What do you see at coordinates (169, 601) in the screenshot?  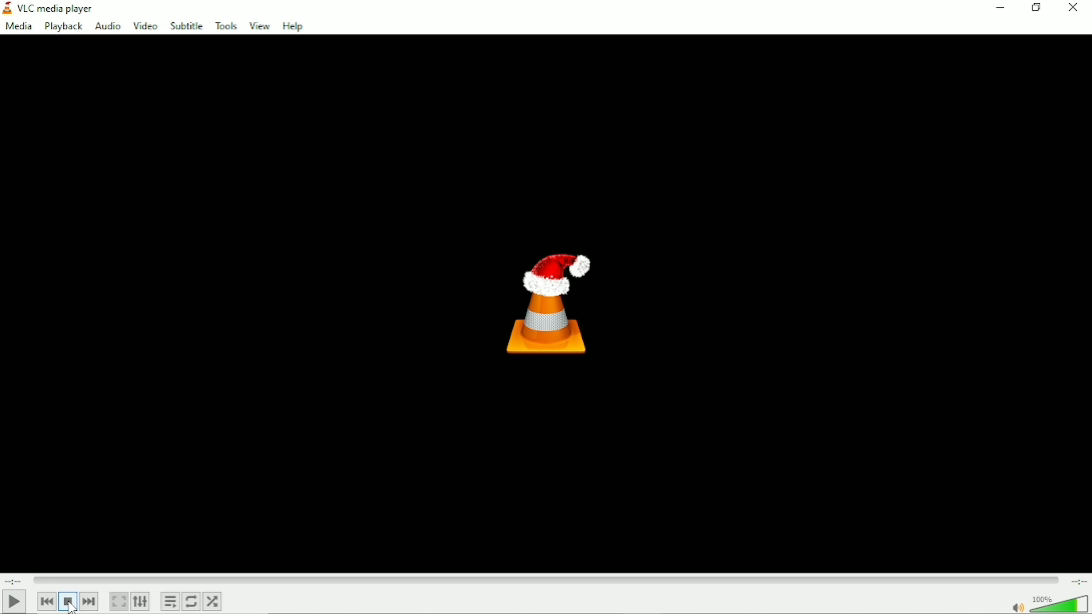 I see `Toggle playlist` at bounding box center [169, 601].